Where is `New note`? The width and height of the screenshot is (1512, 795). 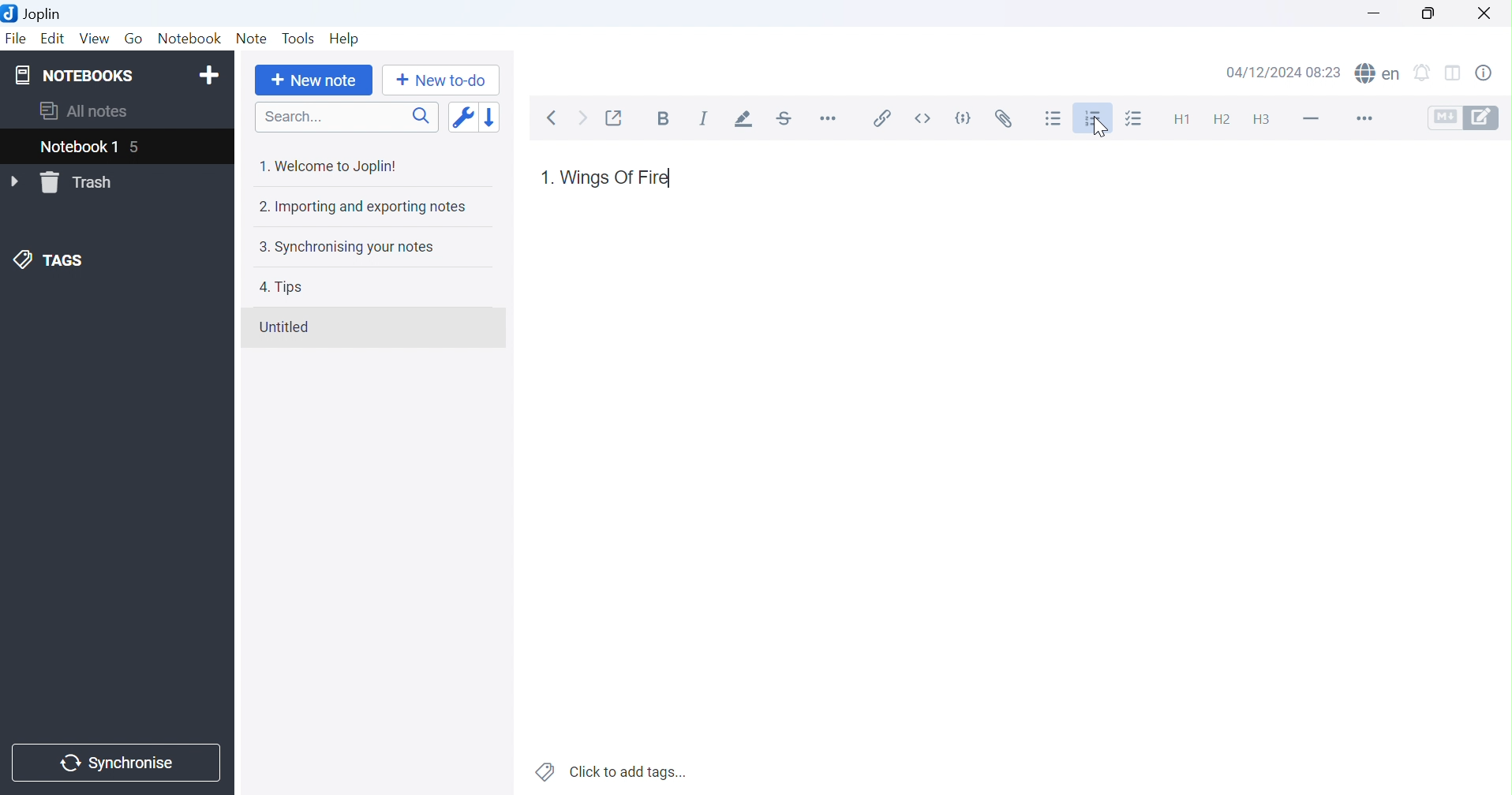
New note is located at coordinates (314, 81).